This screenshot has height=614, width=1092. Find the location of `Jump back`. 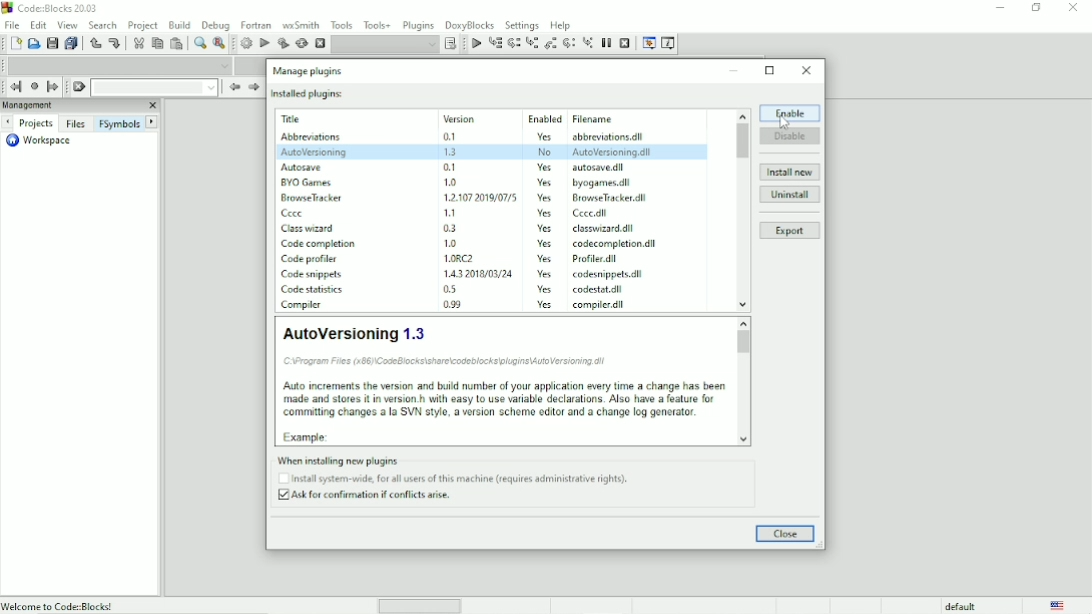

Jump back is located at coordinates (16, 86).